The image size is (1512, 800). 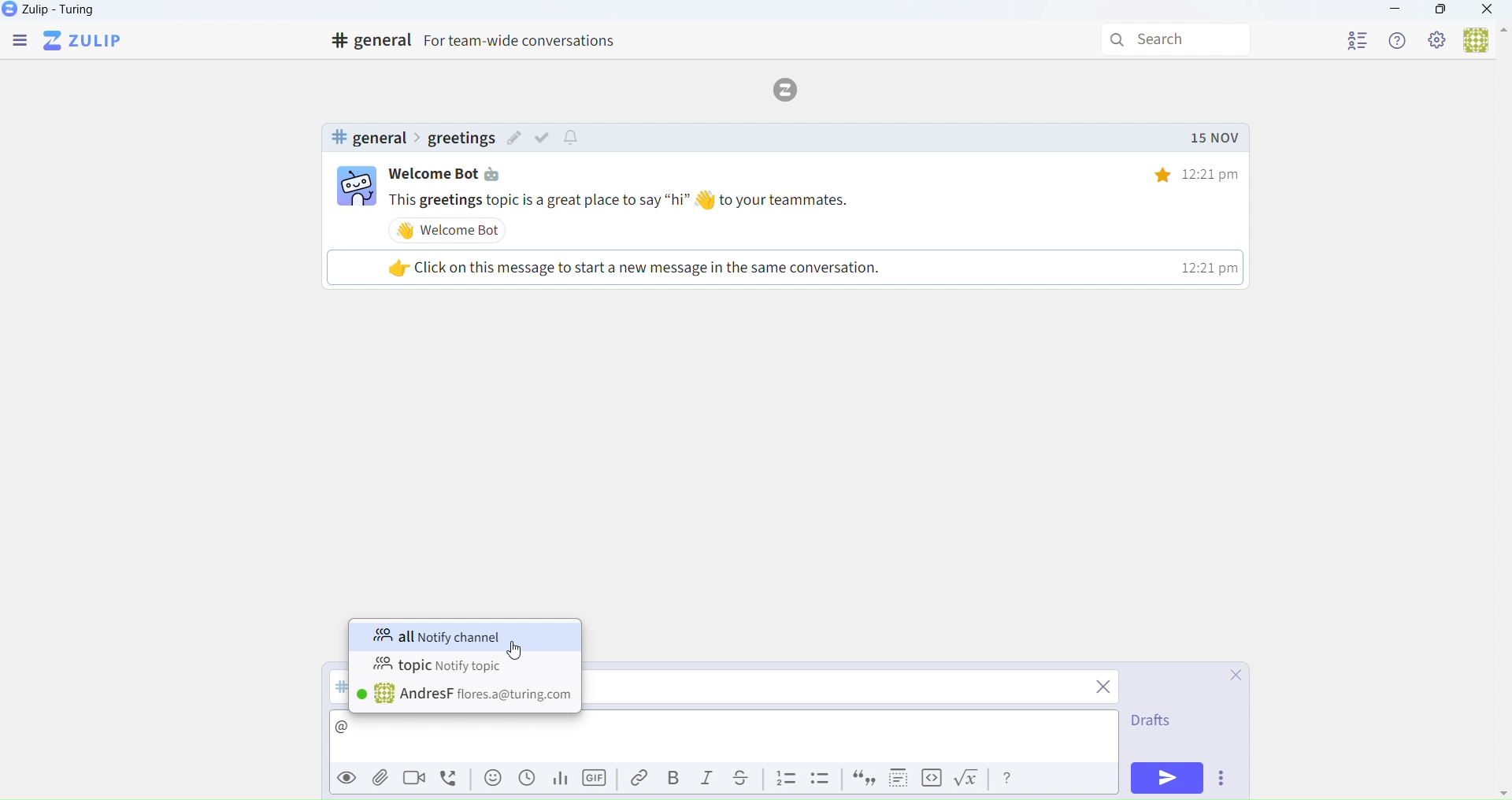 I want to click on click on this to start a new message, so click(x=782, y=267).